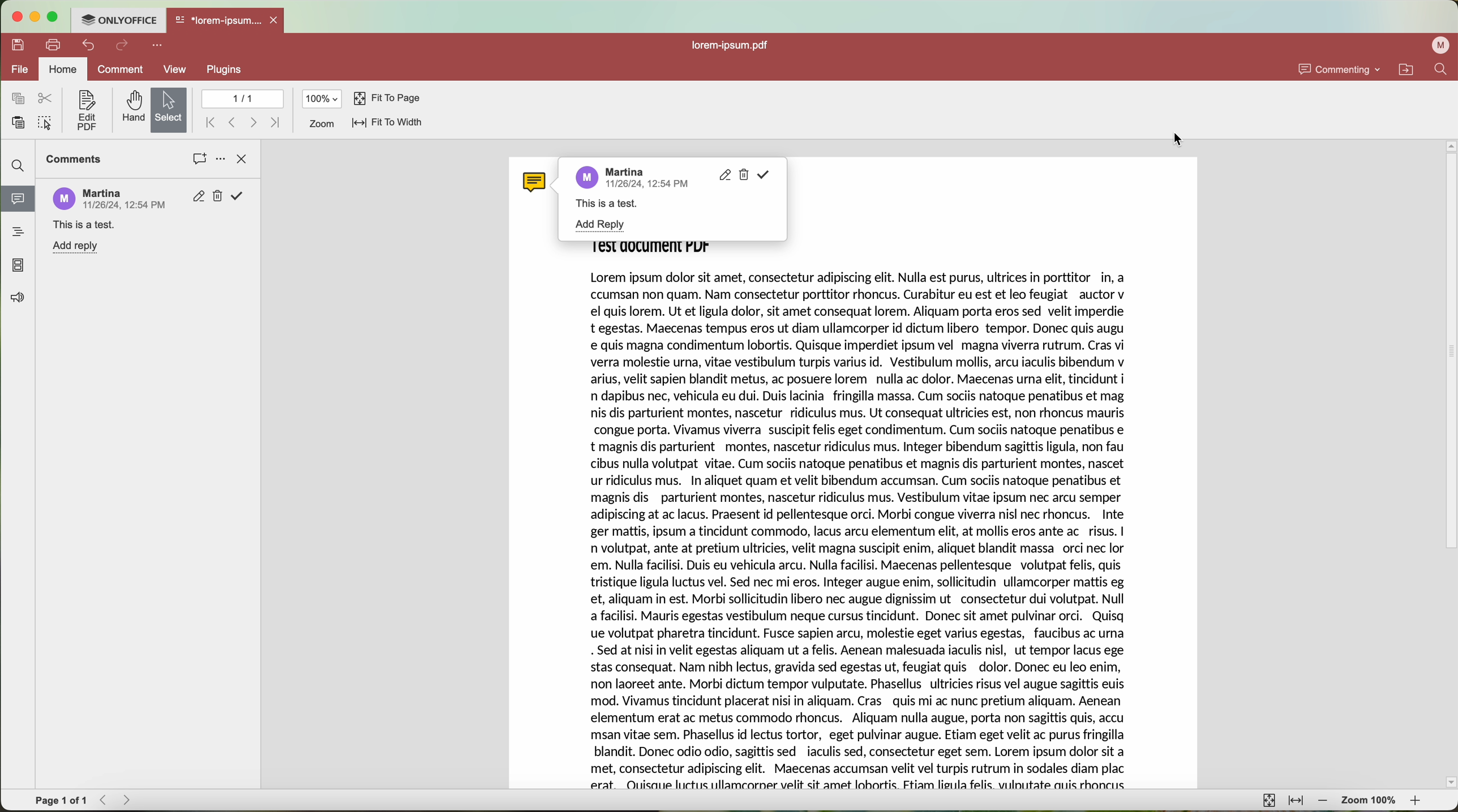 This screenshot has width=1458, height=812. I want to click on minimize, so click(33, 18).